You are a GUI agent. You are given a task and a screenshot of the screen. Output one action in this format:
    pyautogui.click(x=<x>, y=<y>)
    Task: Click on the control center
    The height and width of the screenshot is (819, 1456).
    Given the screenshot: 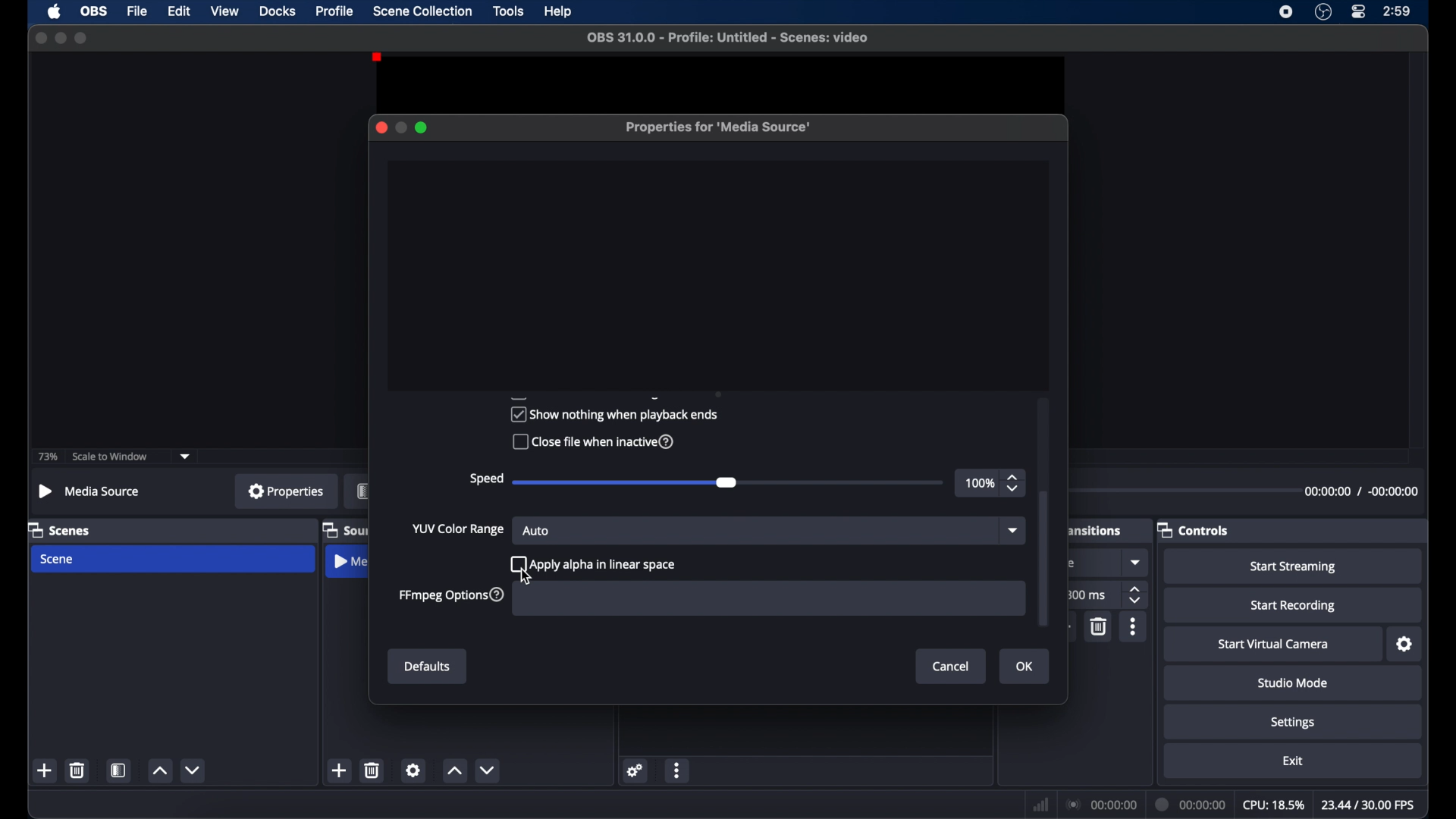 What is the action you would take?
    pyautogui.click(x=1357, y=12)
    